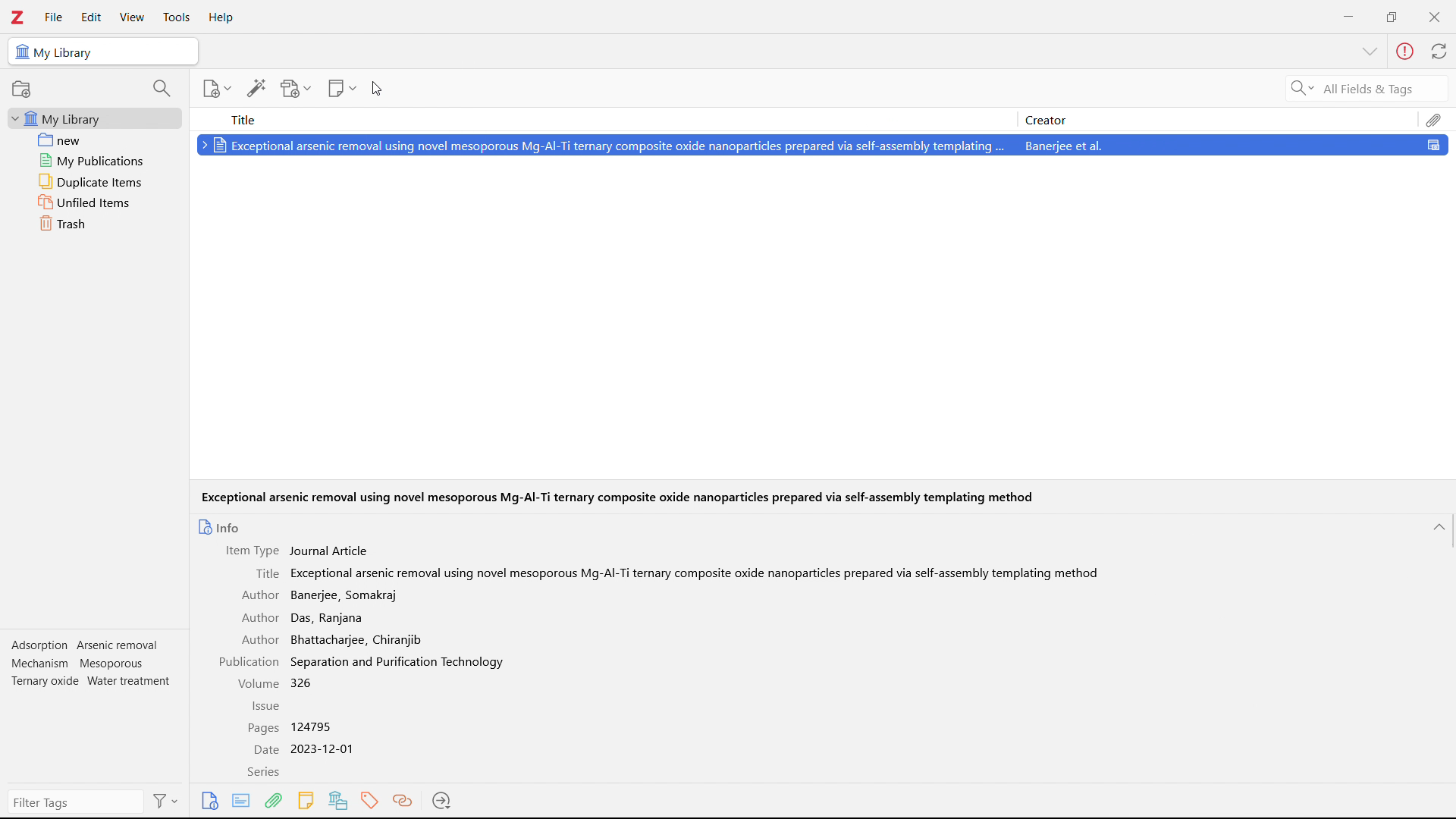 Image resolution: width=1456 pixels, height=819 pixels. I want to click on filter collections, so click(162, 88).